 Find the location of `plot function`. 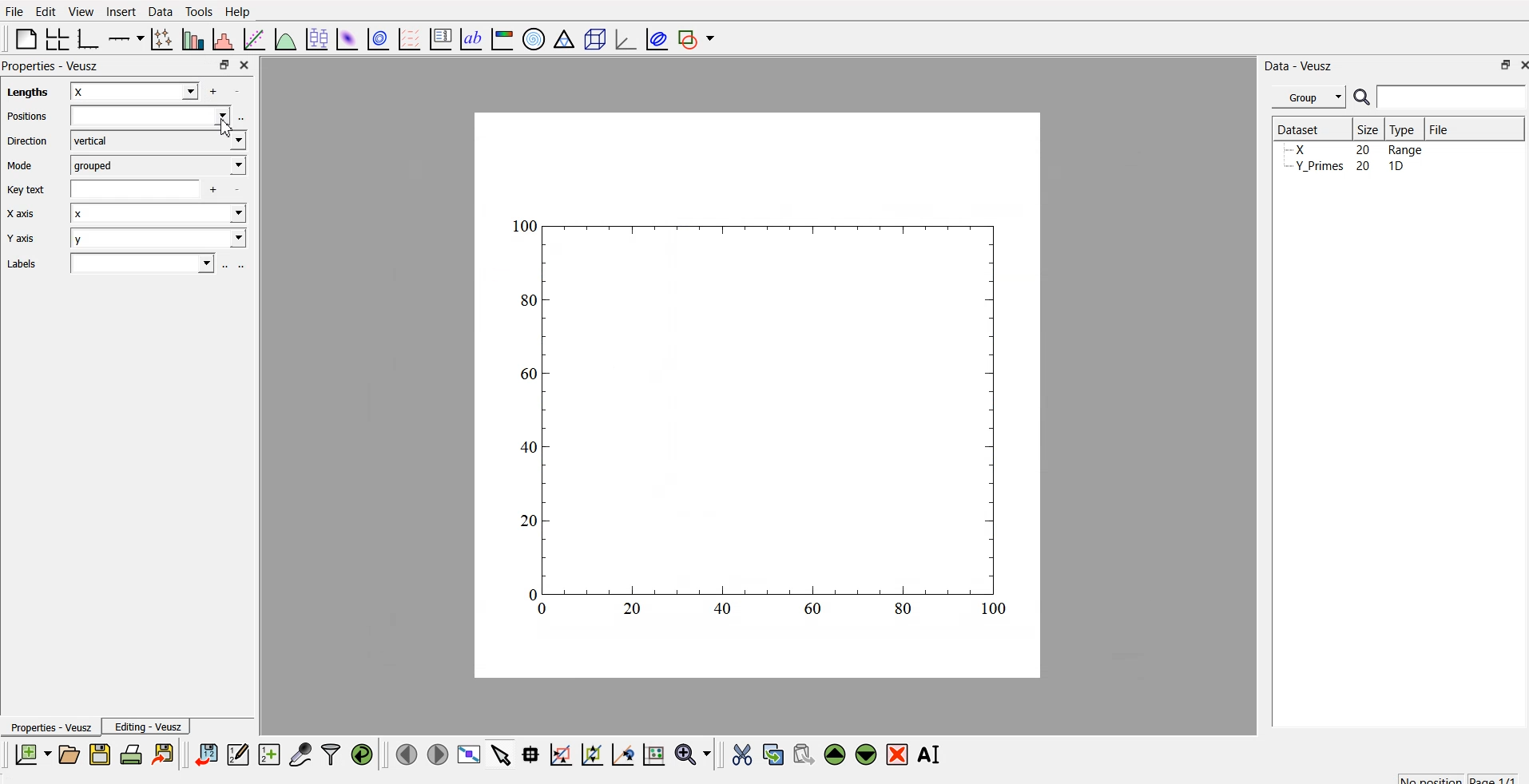

plot function is located at coordinates (284, 39).